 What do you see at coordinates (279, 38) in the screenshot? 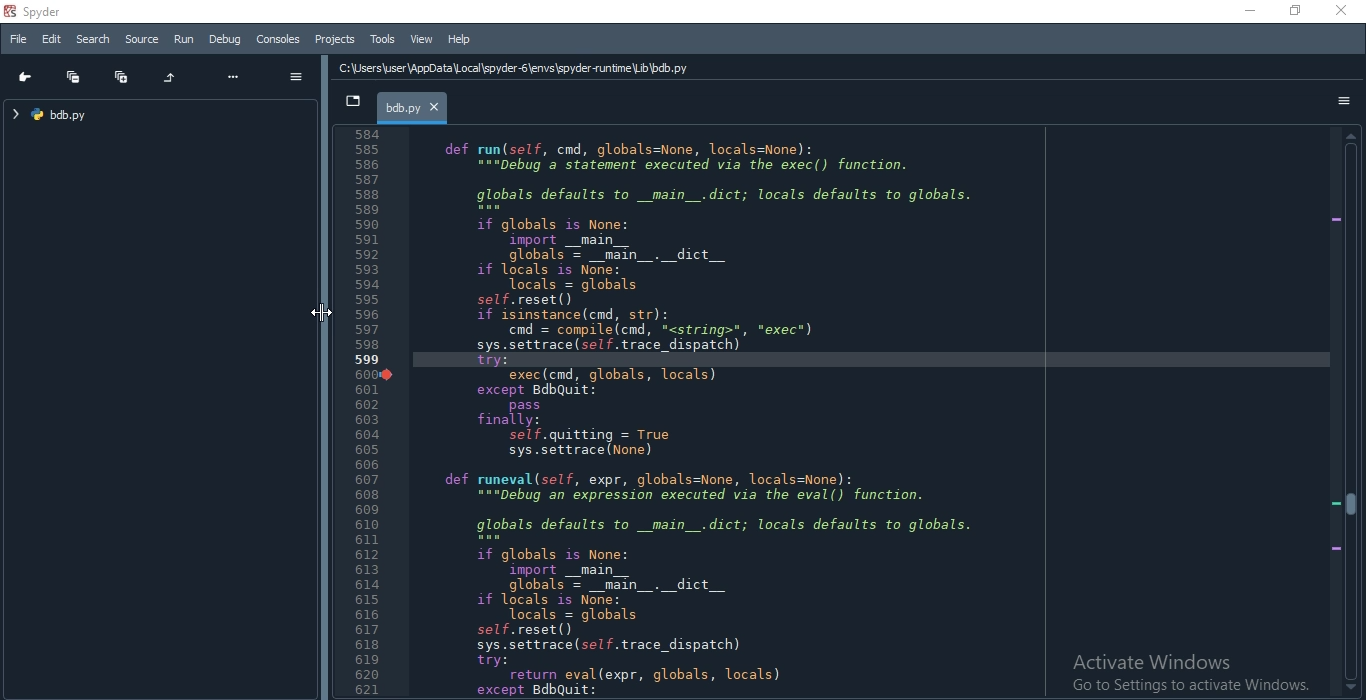
I see `Consoles` at bounding box center [279, 38].